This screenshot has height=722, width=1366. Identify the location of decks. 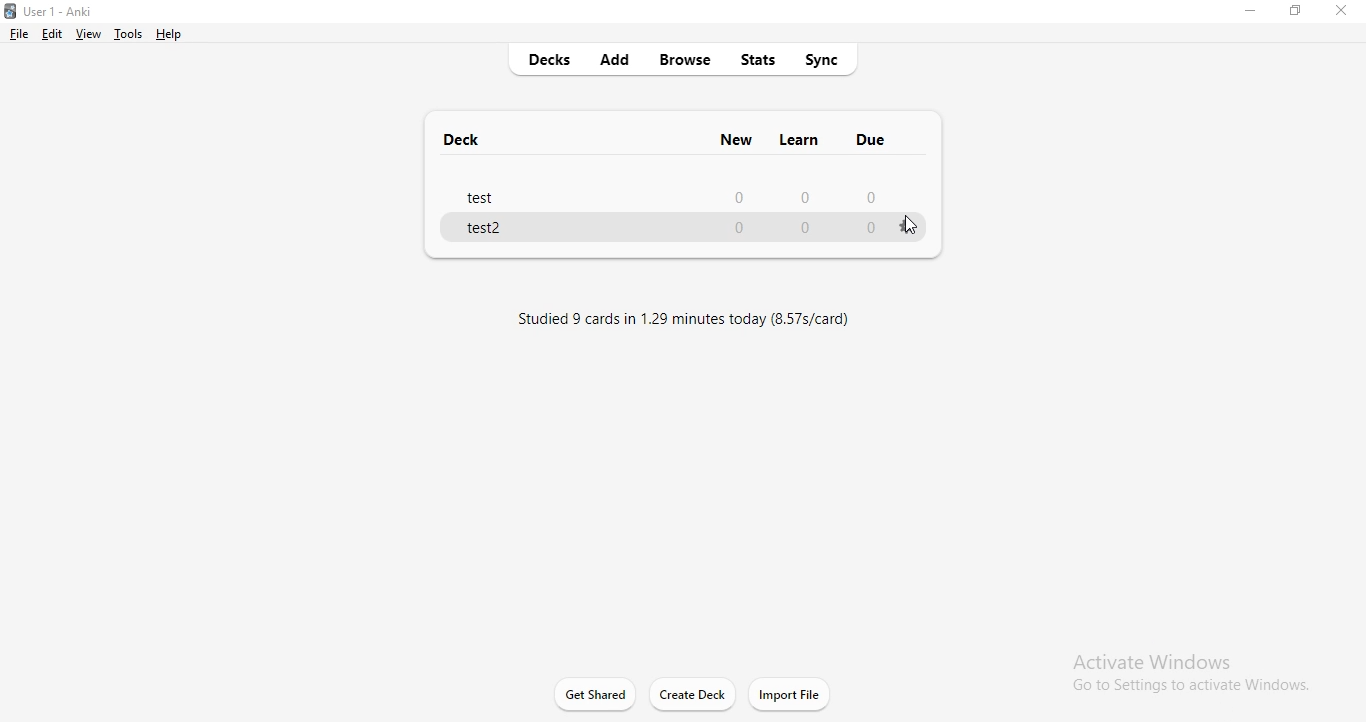
(547, 61).